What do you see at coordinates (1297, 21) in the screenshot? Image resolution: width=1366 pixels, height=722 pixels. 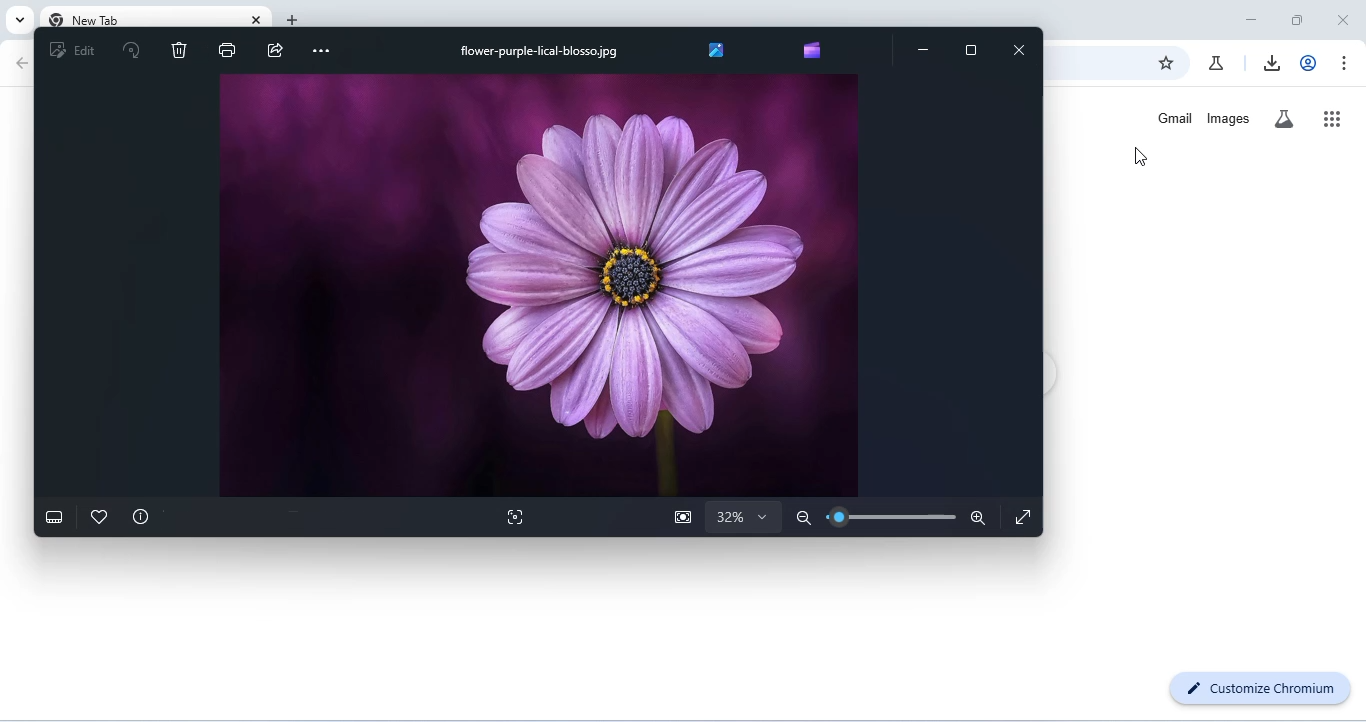 I see `maximize` at bounding box center [1297, 21].